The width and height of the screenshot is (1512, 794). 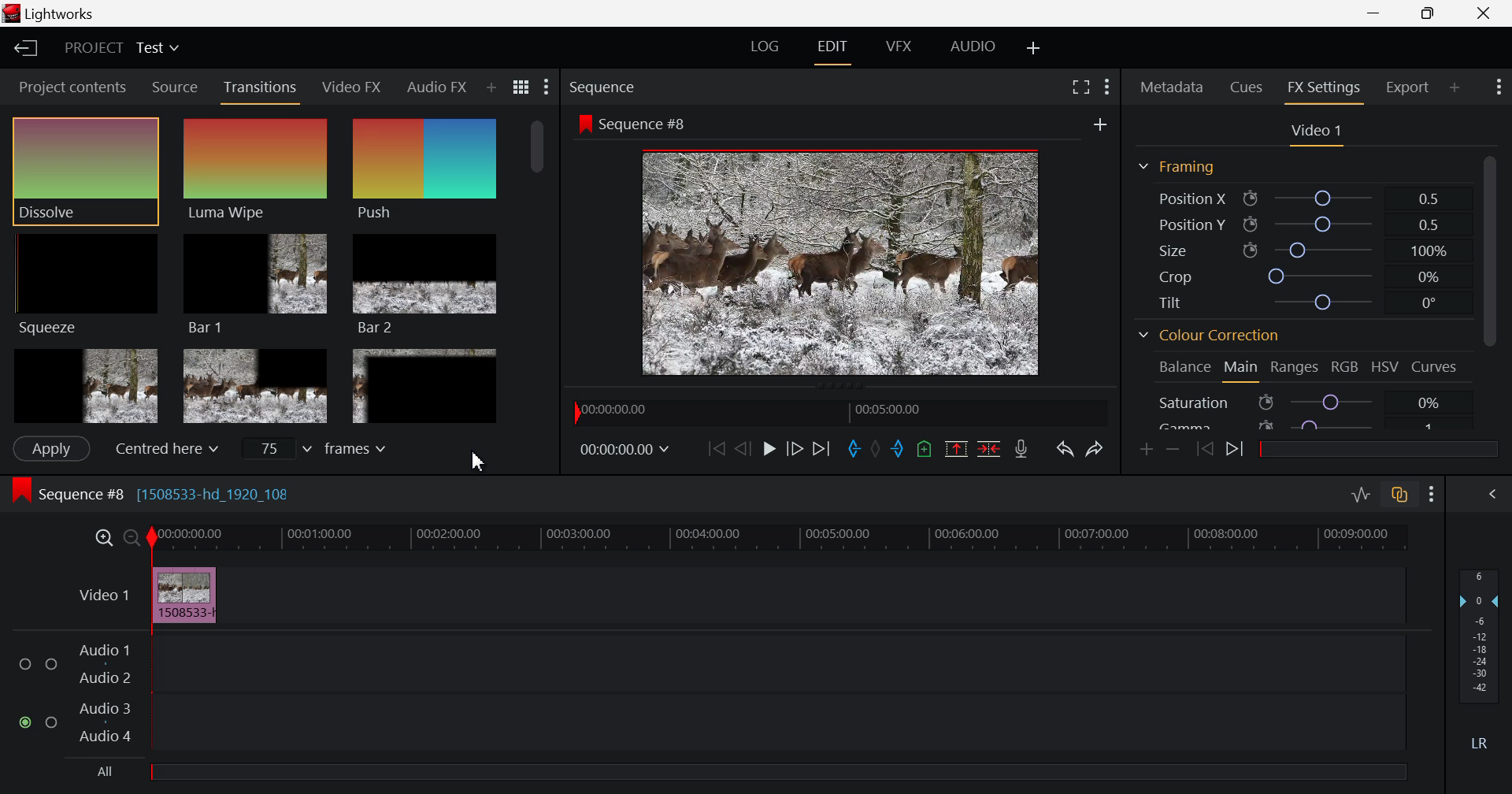 What do you see at coordinates (744, 776) in the screenshot?
I see `All` at bounding box center [744, 776].